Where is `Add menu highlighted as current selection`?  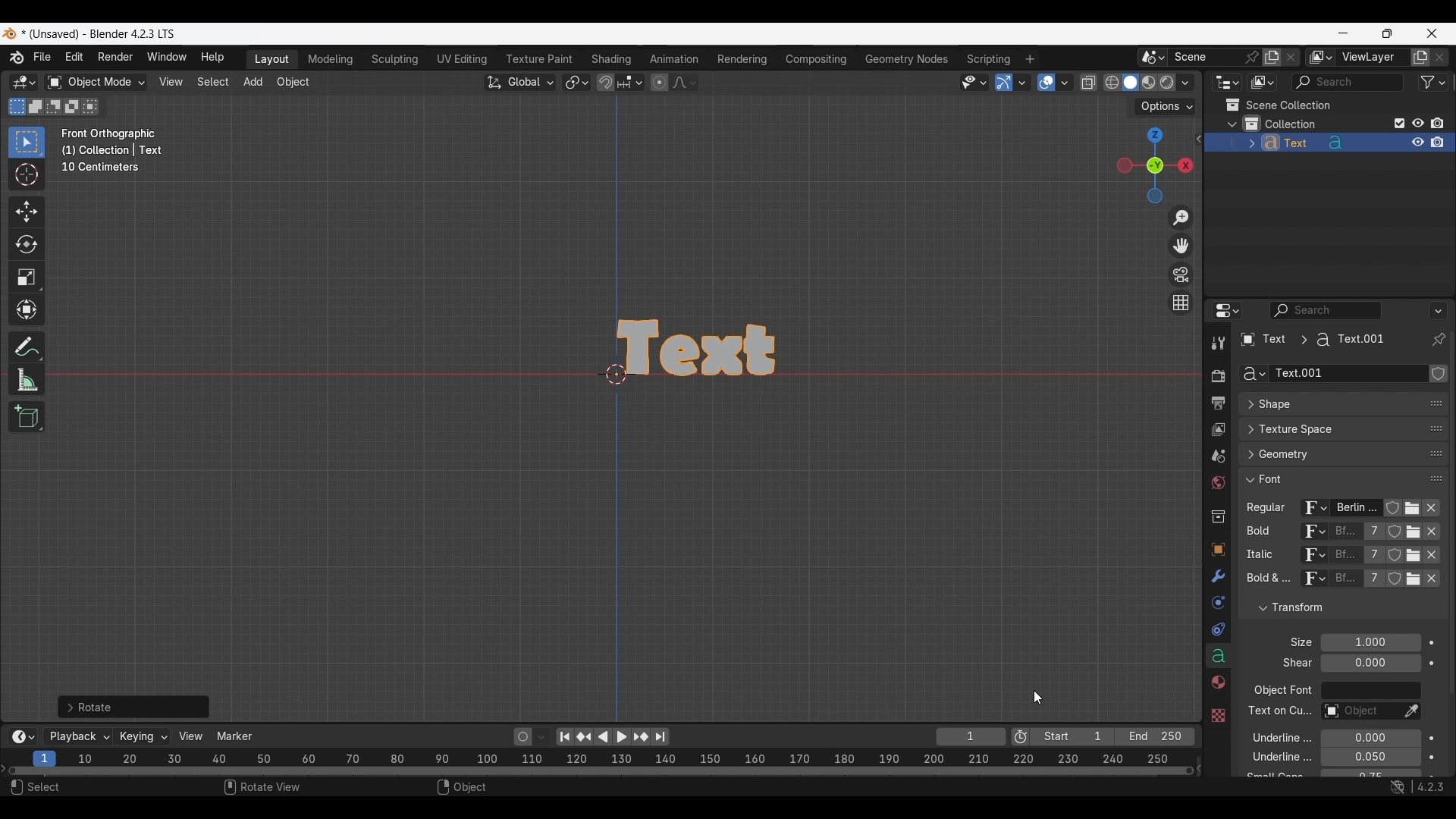
Add menu highlighted as current selection is located at coordinates (253, 83).